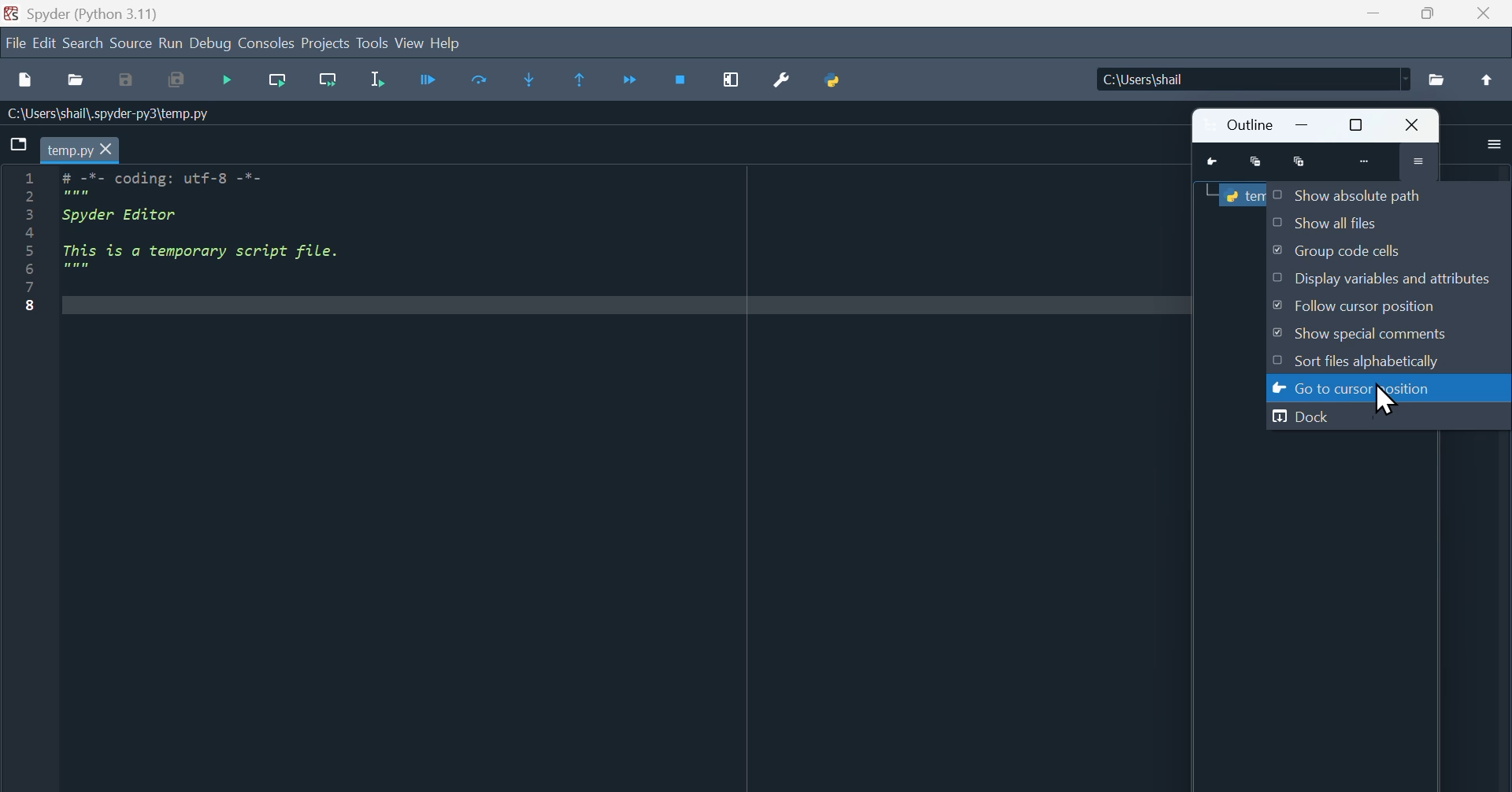  Describe the element at coordinates (448, 43) in the screenshot. I see `help` at that location.